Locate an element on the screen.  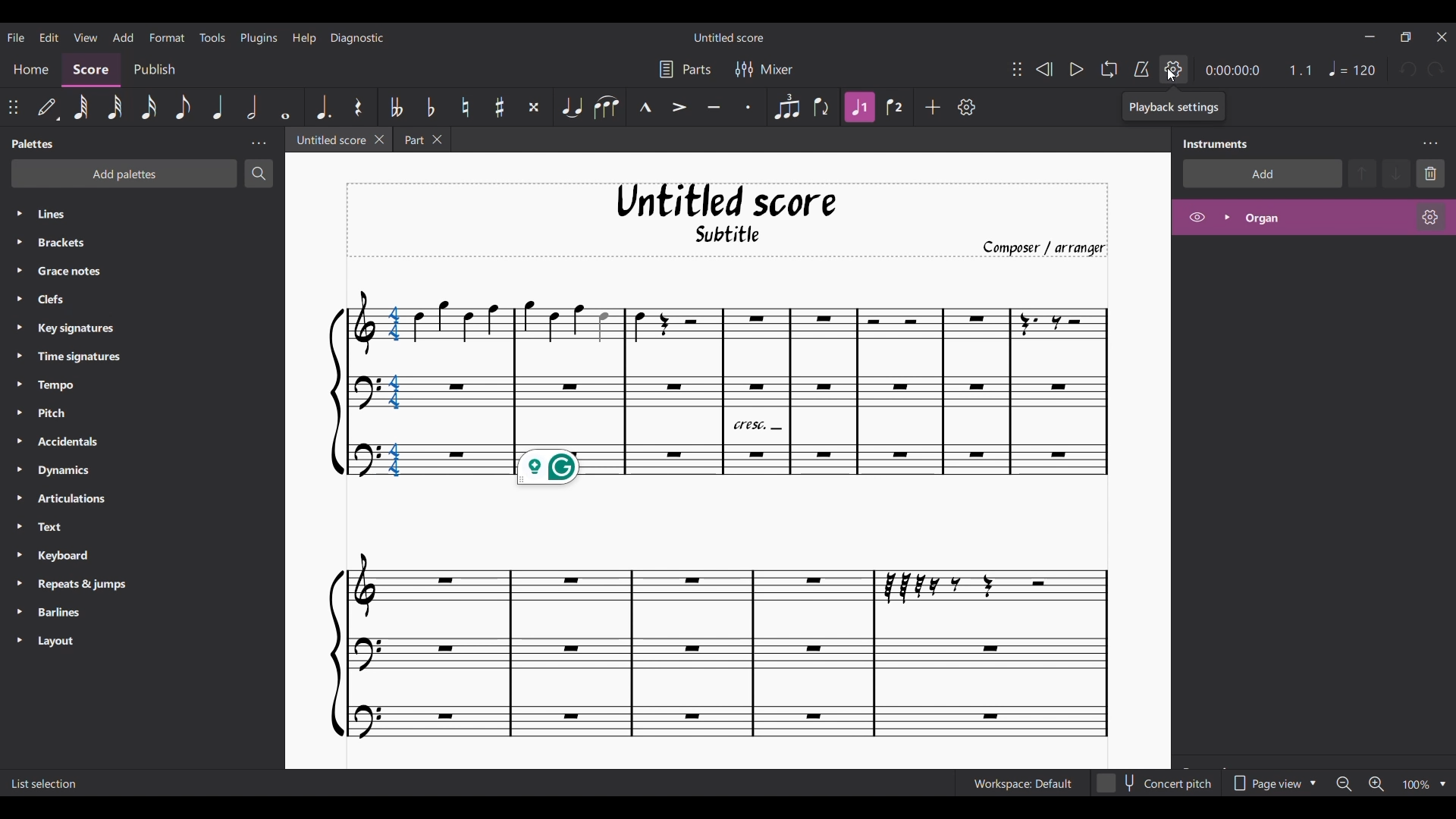
Flip direction is located at coordinates (823, 107).